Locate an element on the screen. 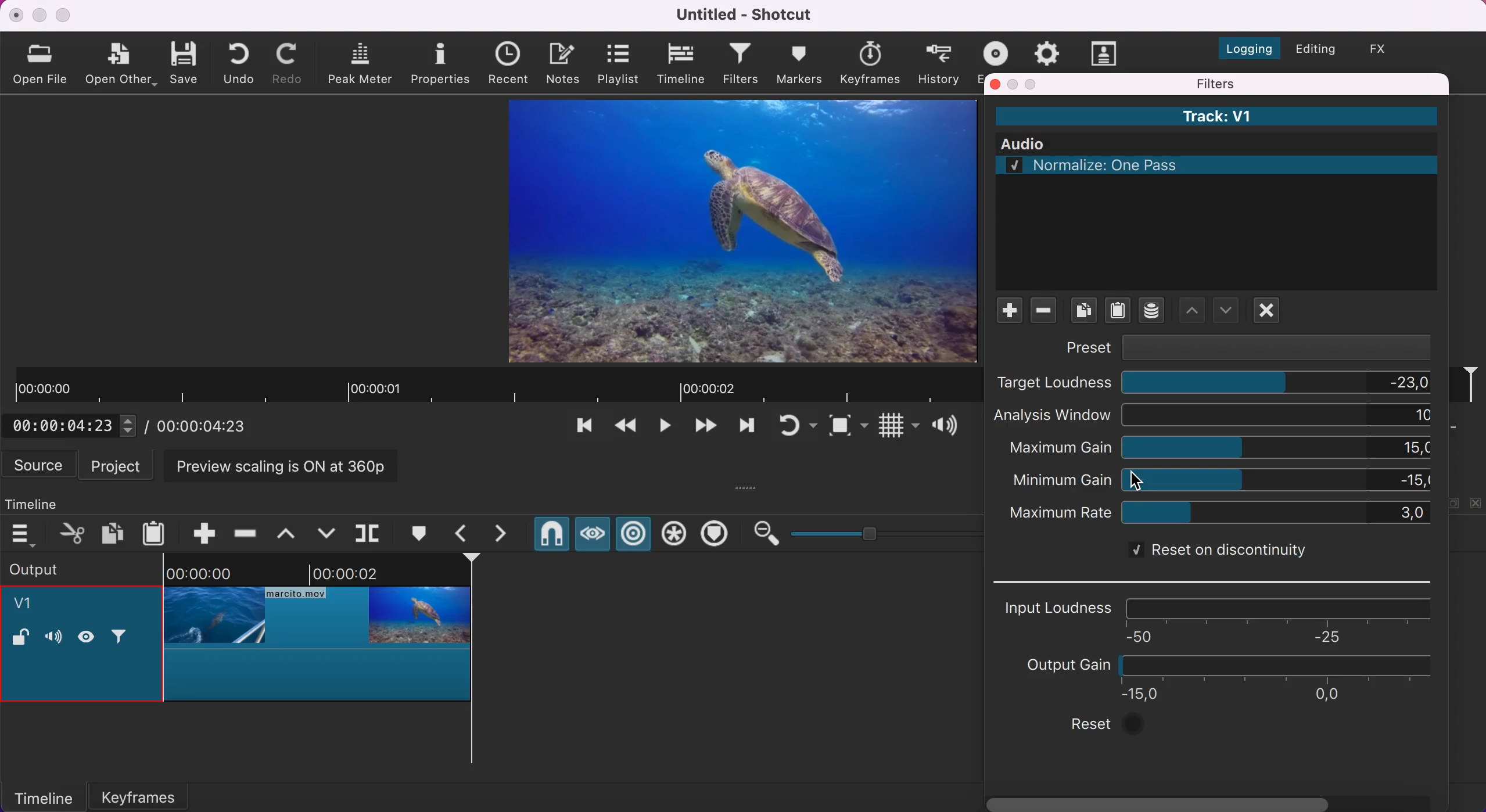  recent is located at coordinates (512, 64).